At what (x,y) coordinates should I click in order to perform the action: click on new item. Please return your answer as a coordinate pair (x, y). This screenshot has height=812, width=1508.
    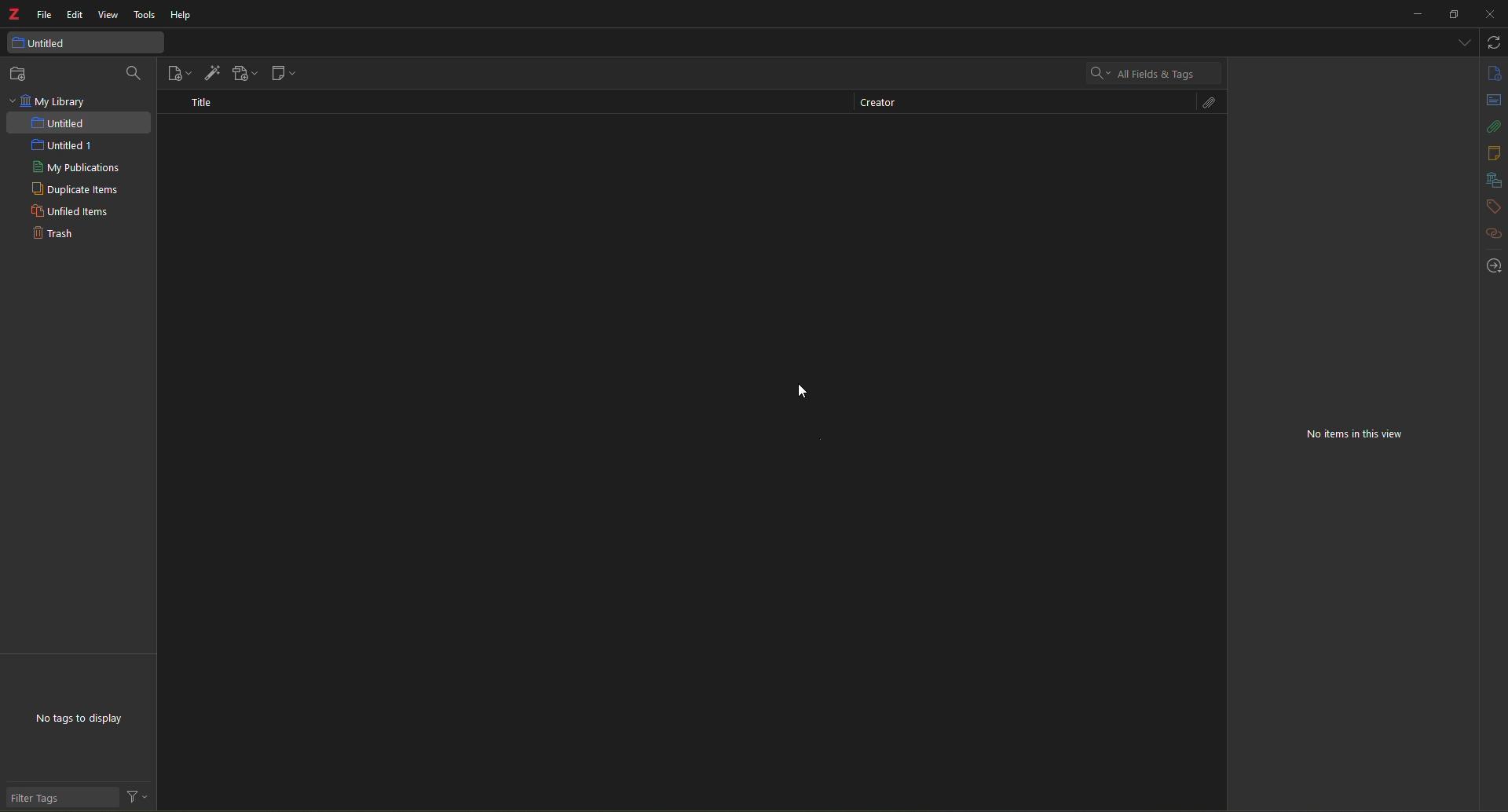
    Looking at the image, I should click on (178, 74).